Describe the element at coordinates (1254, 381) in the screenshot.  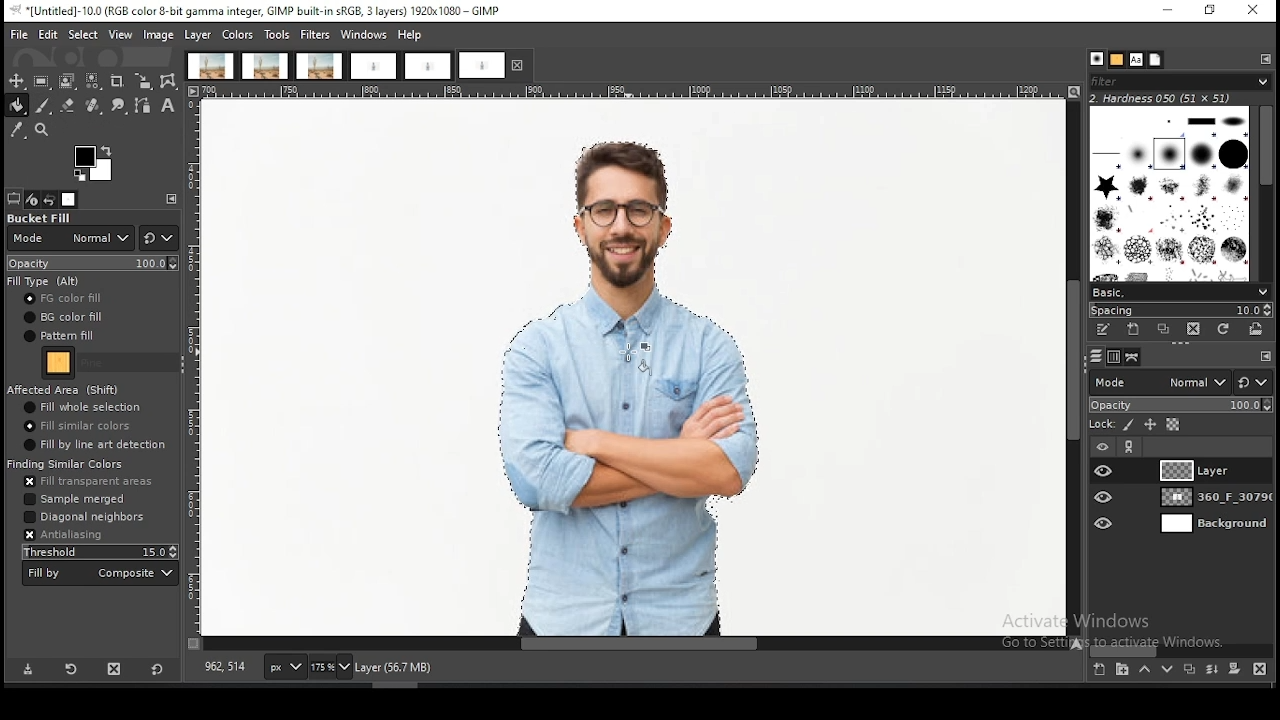
I see `reset` at that location.